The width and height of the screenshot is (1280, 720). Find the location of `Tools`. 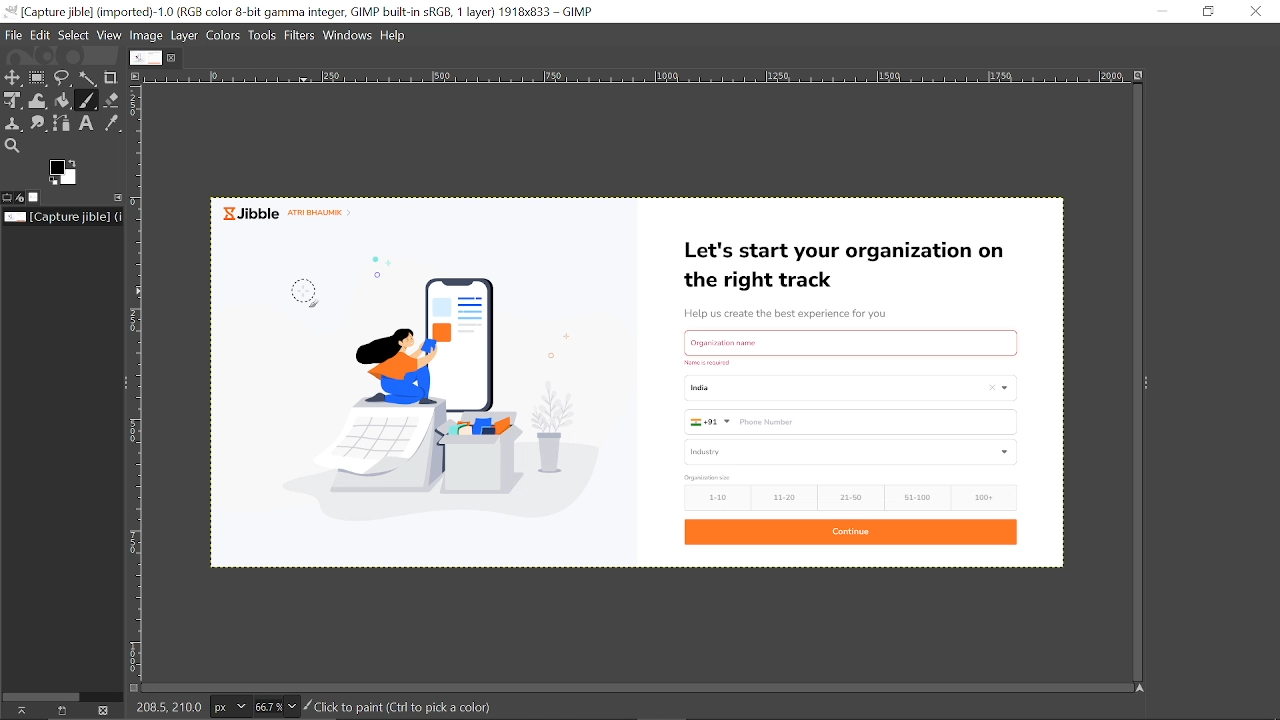

Tools is located at coordinates (264, 37).